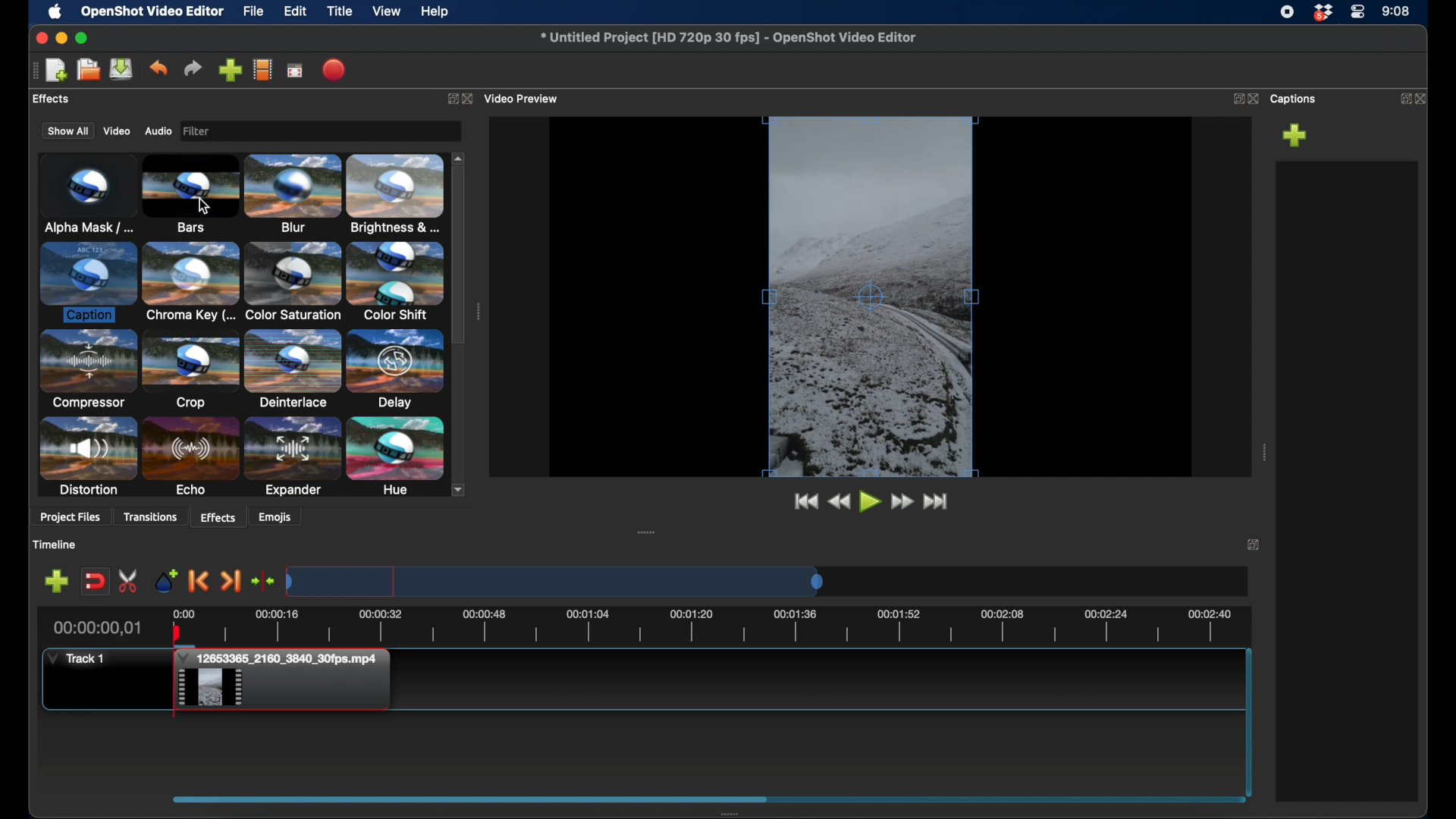 The width and height of the screenshot is (1456, 819). I want to click on close, so click(471, 98).